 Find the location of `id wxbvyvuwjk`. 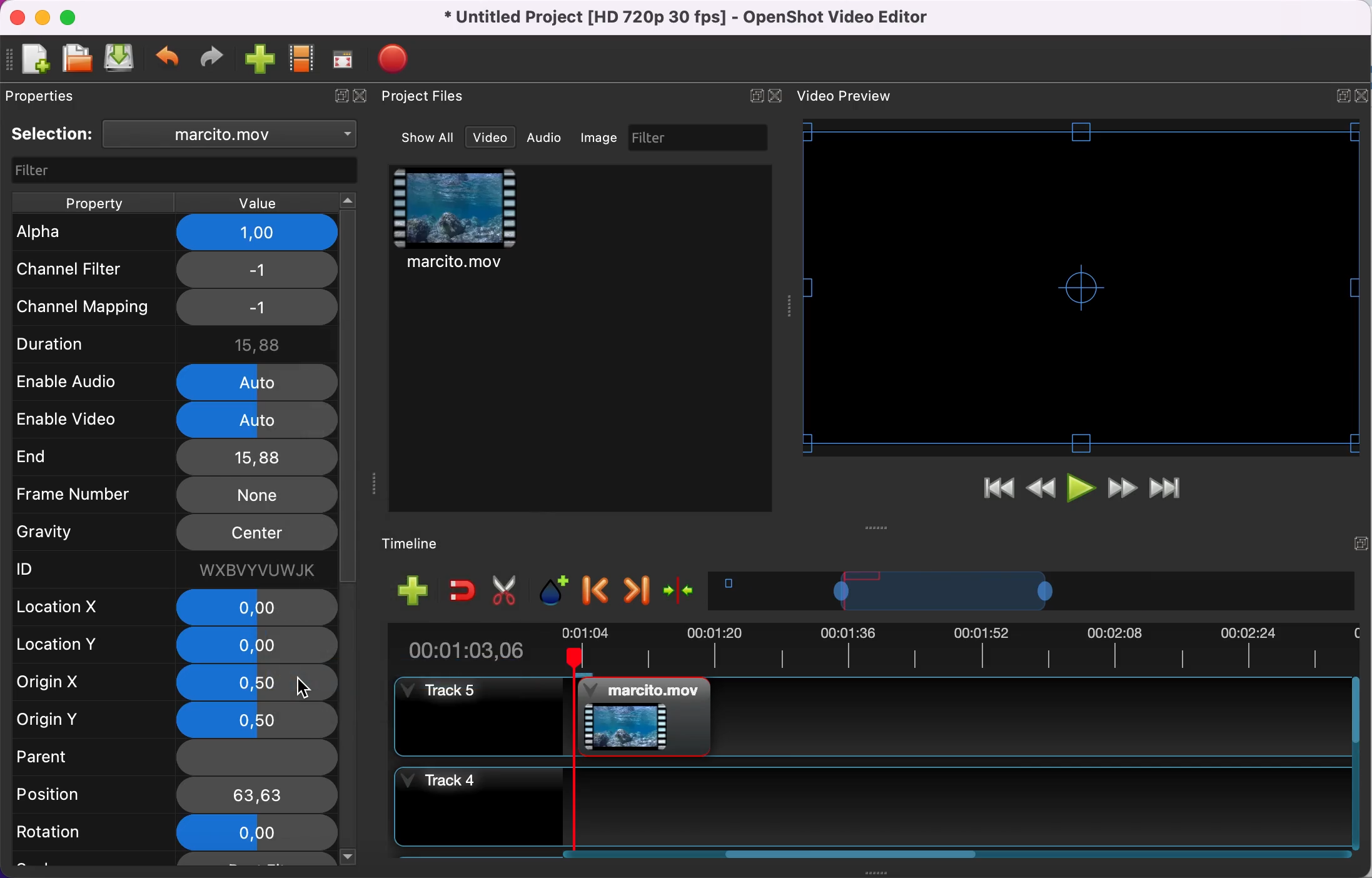

id wxbvyvuwjk is located at coordinates (171, 569).